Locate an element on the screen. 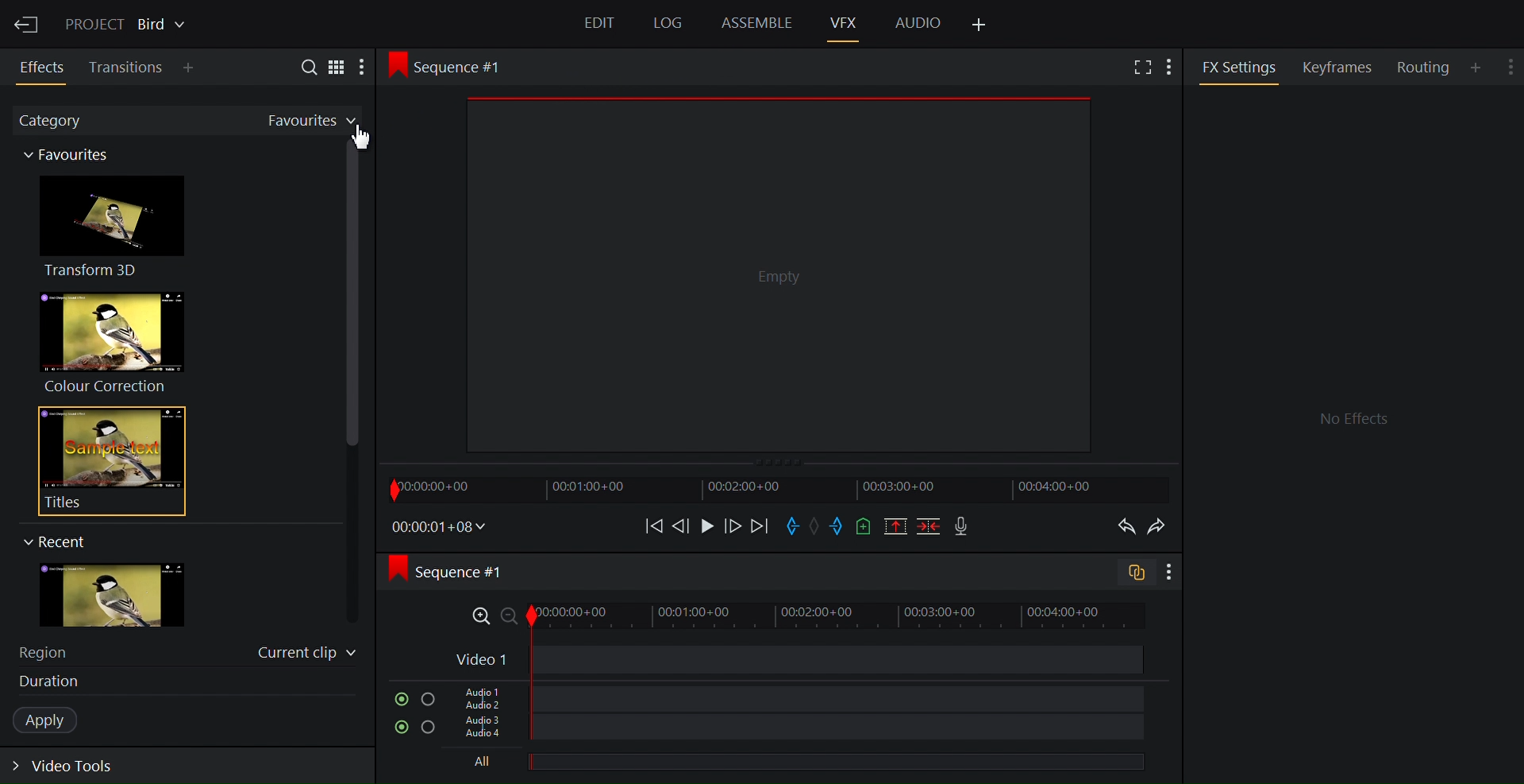 The image size is (1524, 784). Audio Track 1, Audio Track 2 is located at coordinates (794, 697).